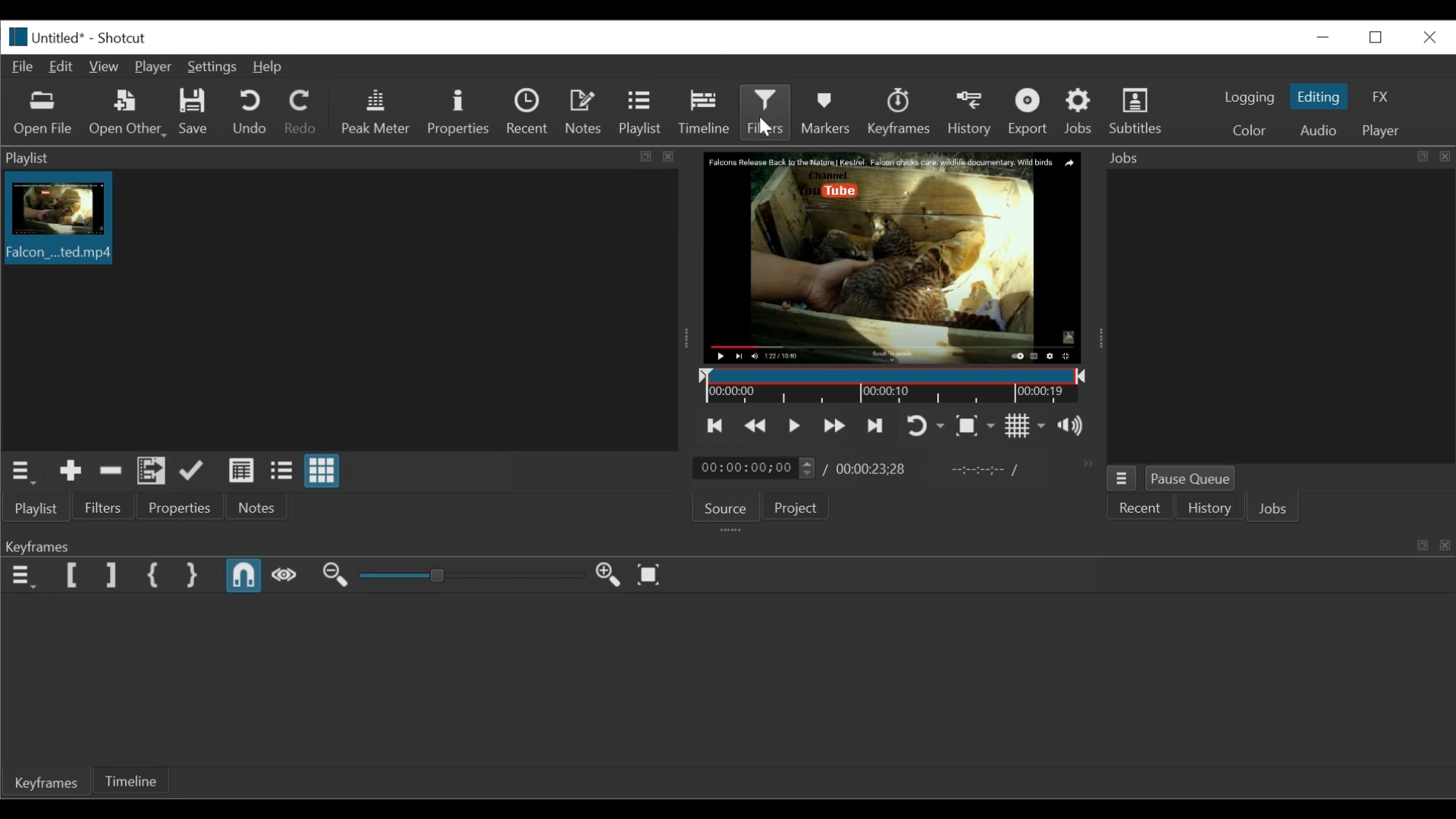 This screenshot has height=819, width=1456. What do you see at coordinates (706, 114) in the screenshot?
I see `Timeline` at bounding box center [706, 114].